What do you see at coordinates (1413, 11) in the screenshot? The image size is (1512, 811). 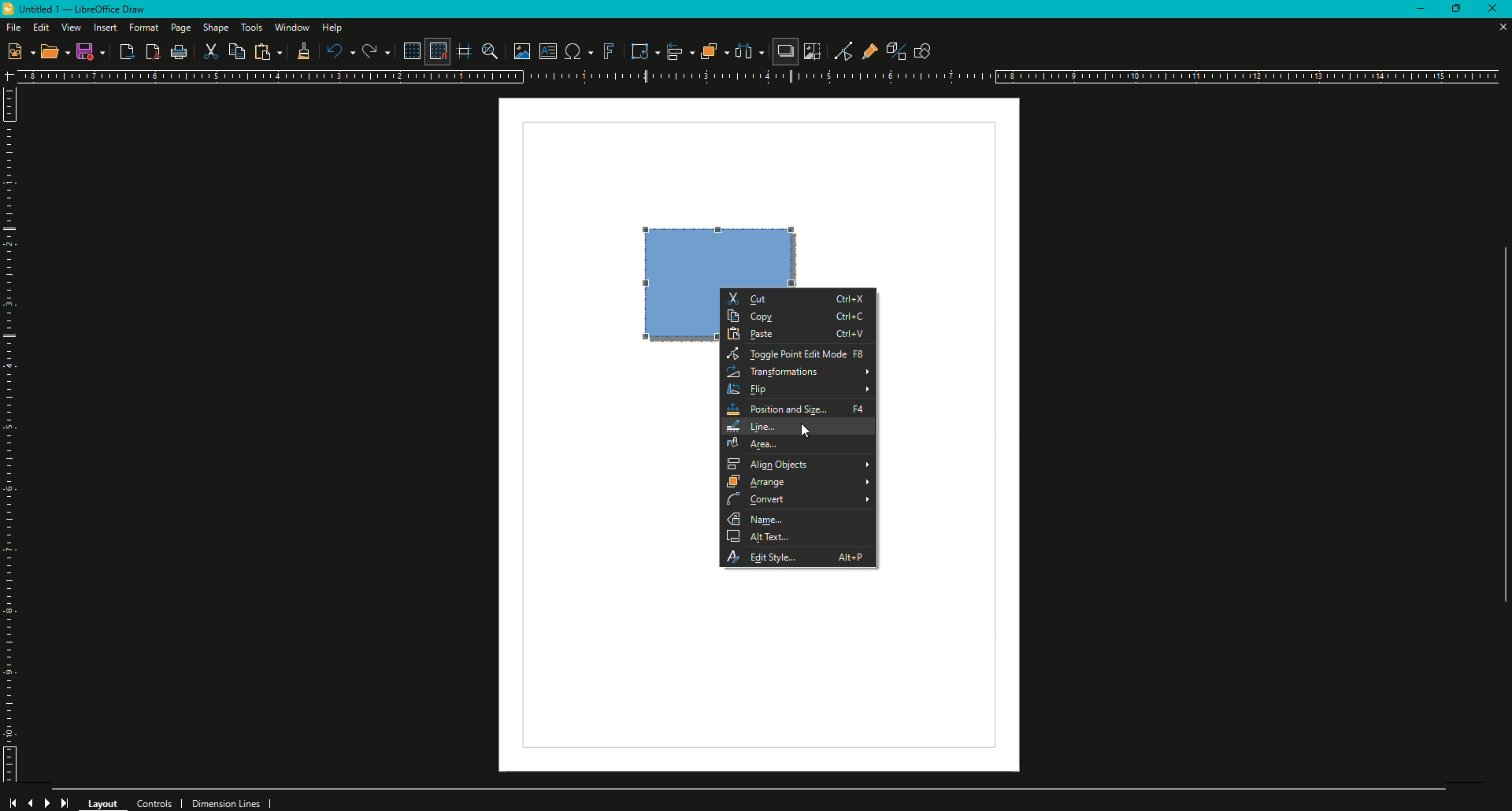 I see `Minimize` at bounding box center [1413, 11].